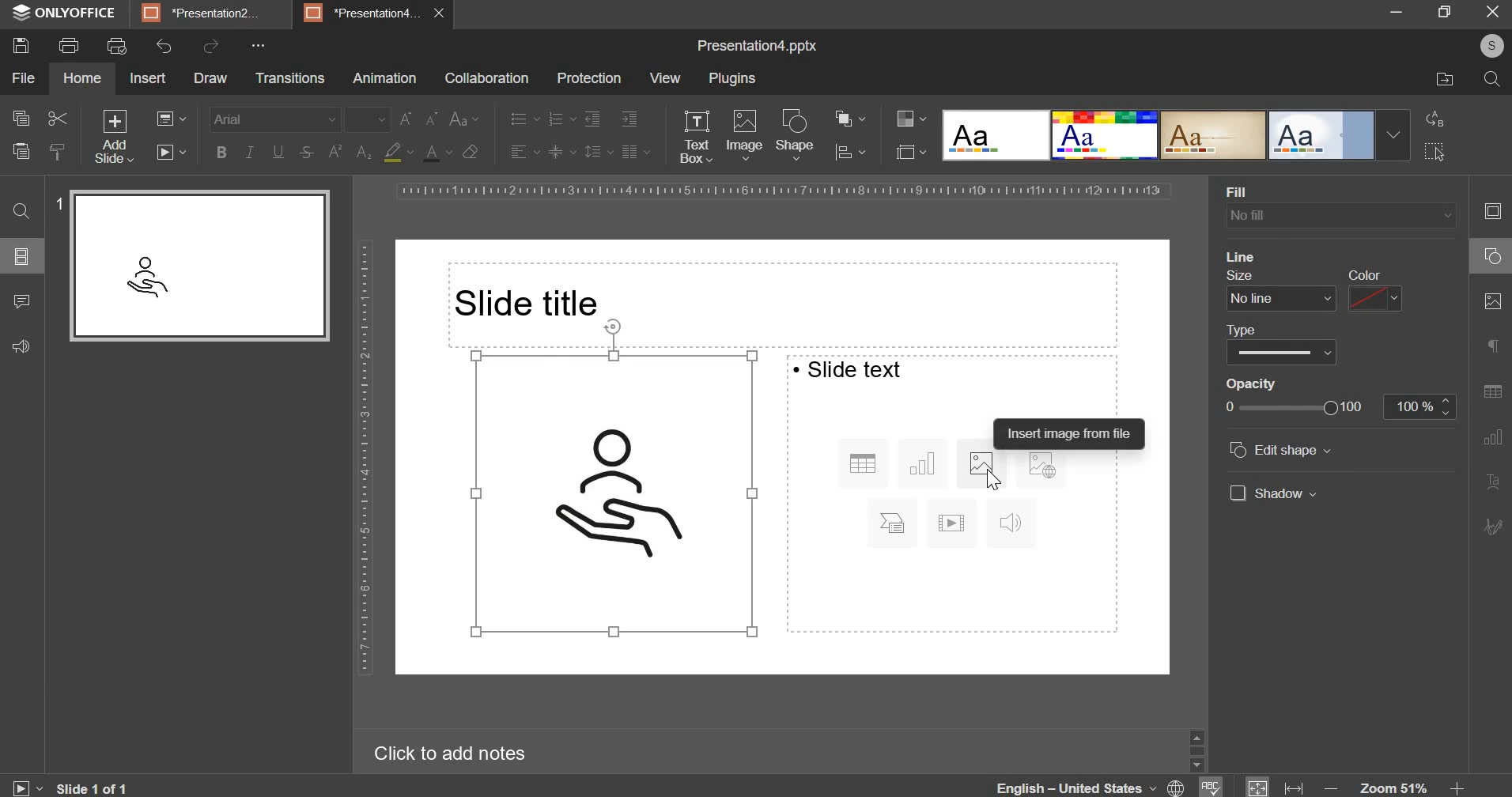 The height and width of the screenshot is (797, 1512). I want to click on animation, so click(385, 79).